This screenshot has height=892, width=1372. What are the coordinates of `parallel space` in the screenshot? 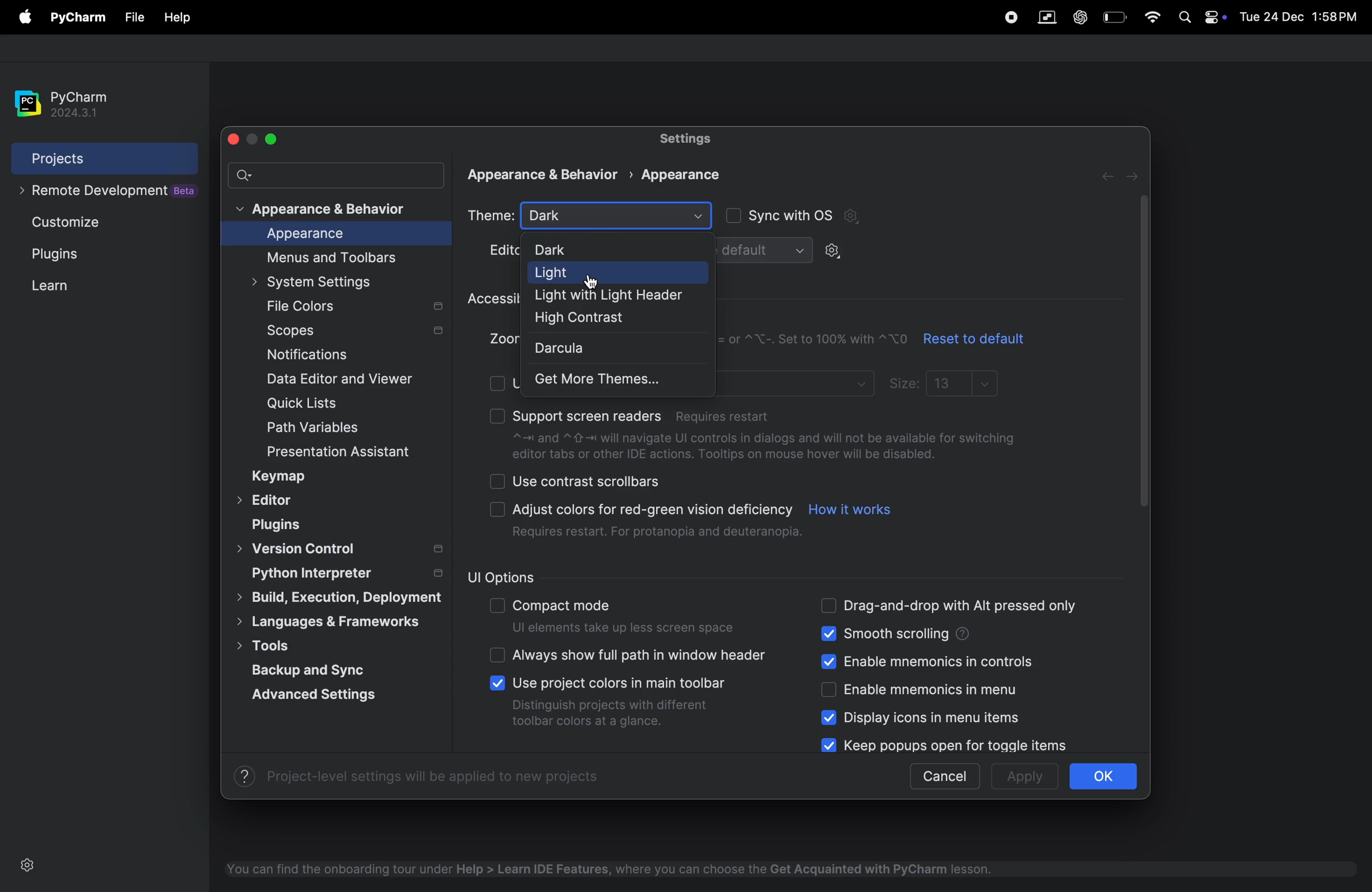 It's located at (1050, 17).